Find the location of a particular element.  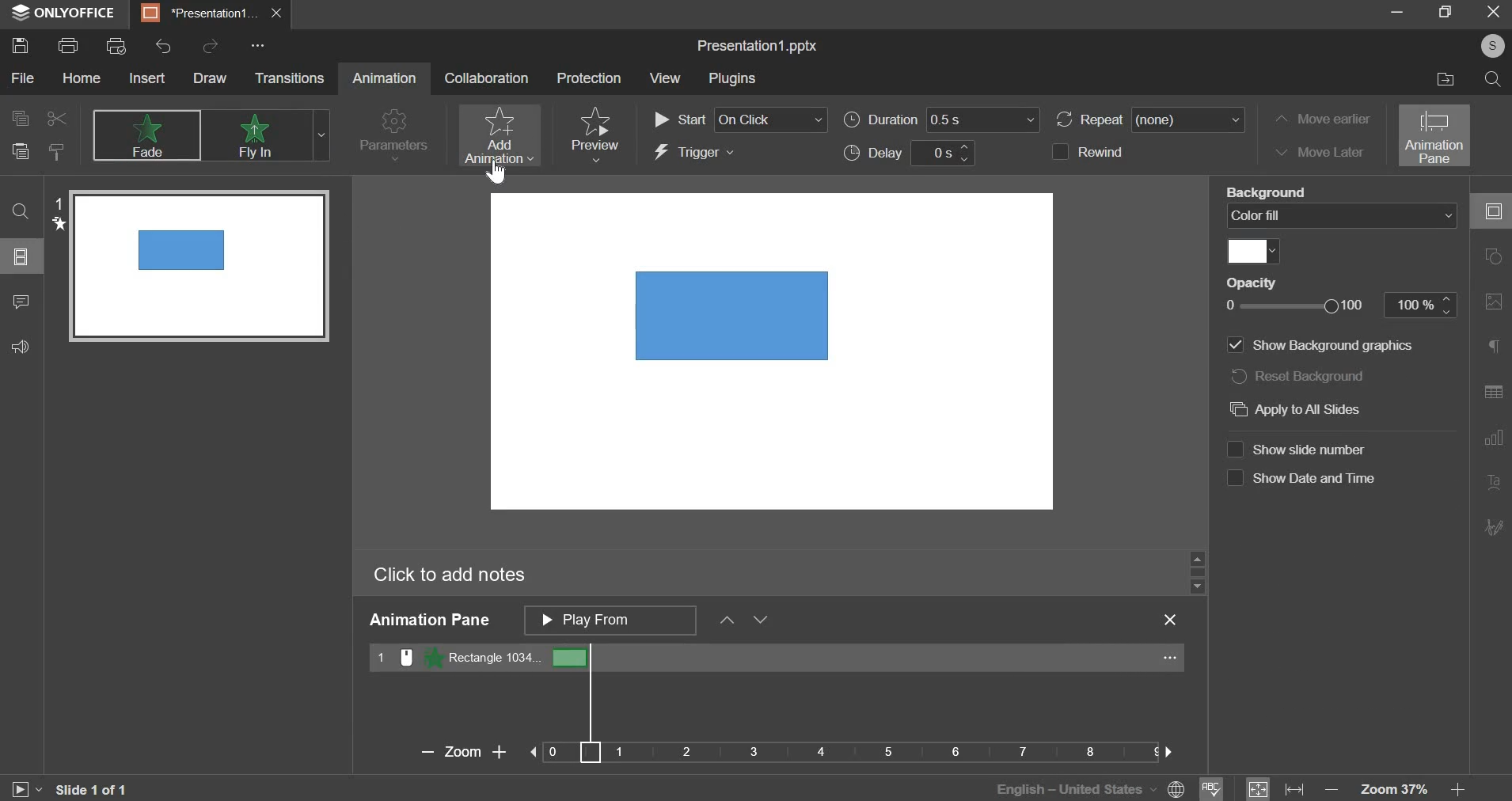

presentation is located at coordinates (209, 15).